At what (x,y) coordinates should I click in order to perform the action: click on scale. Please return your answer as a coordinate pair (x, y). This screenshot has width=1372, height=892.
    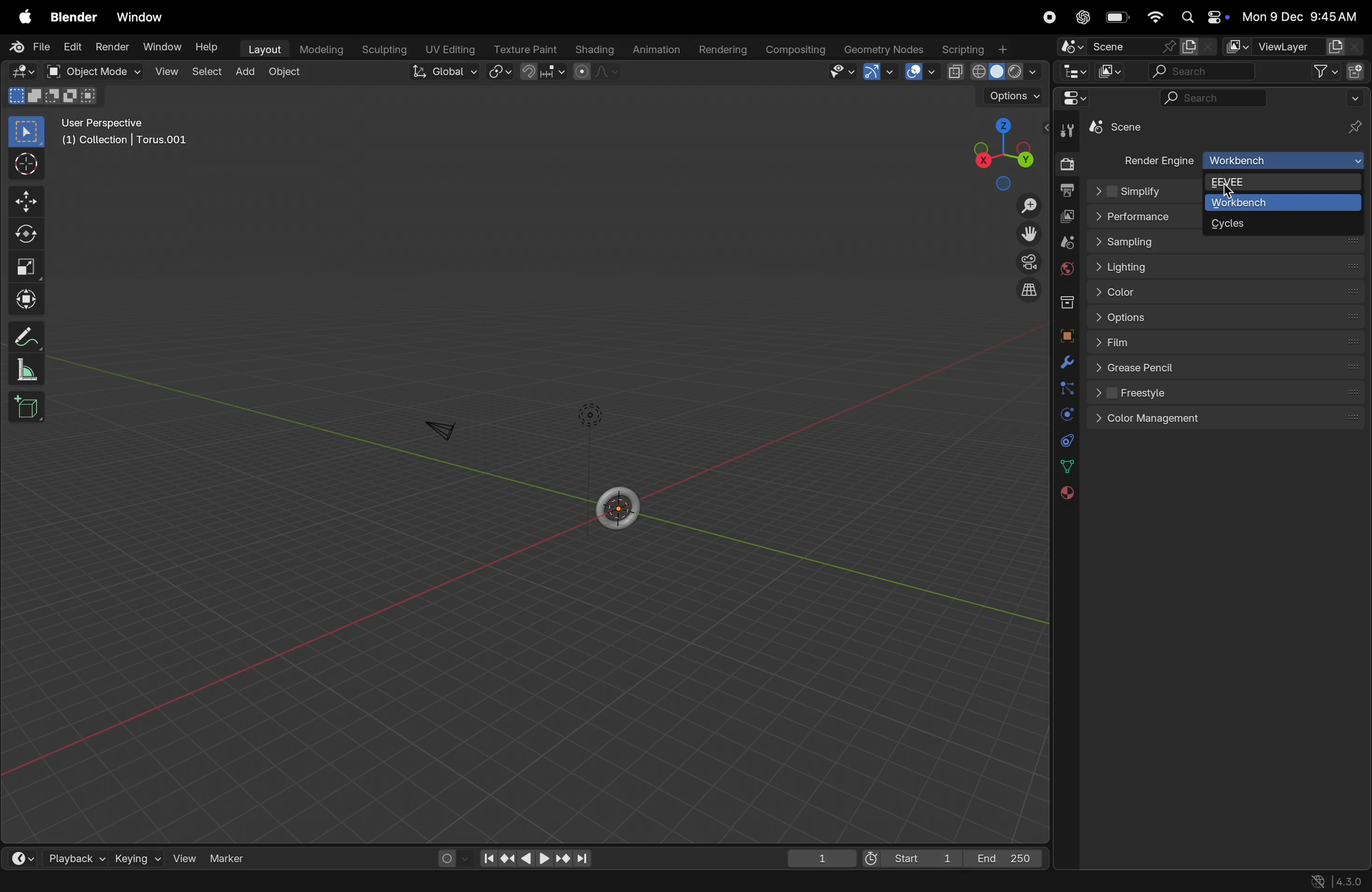
    Looking at the image, I should click on (28, 371).